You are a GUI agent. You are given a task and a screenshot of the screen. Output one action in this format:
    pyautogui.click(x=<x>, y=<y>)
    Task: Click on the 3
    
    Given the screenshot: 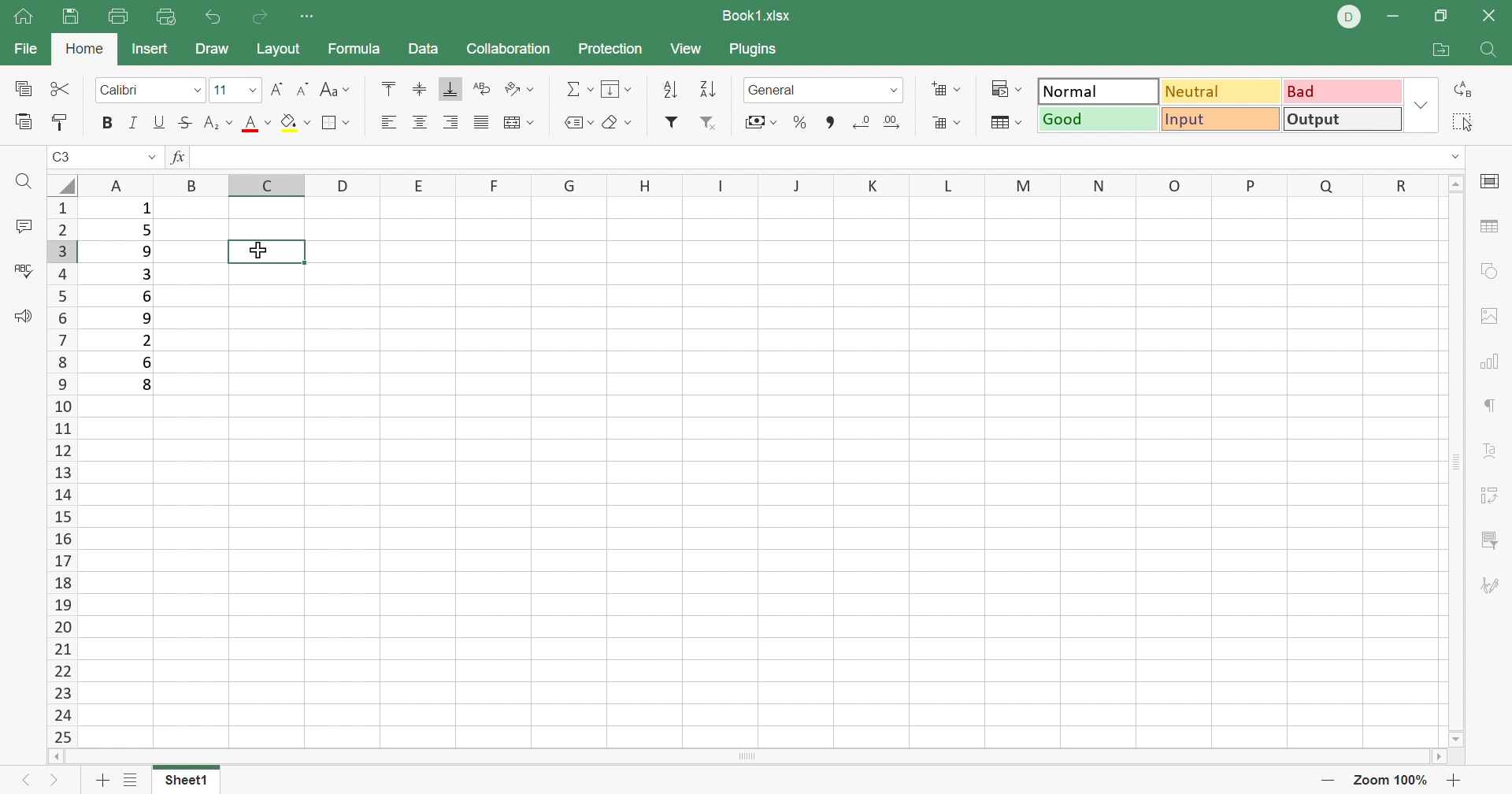 What is the action you would take?
    pyautogui.click(x=144, y=276)
    